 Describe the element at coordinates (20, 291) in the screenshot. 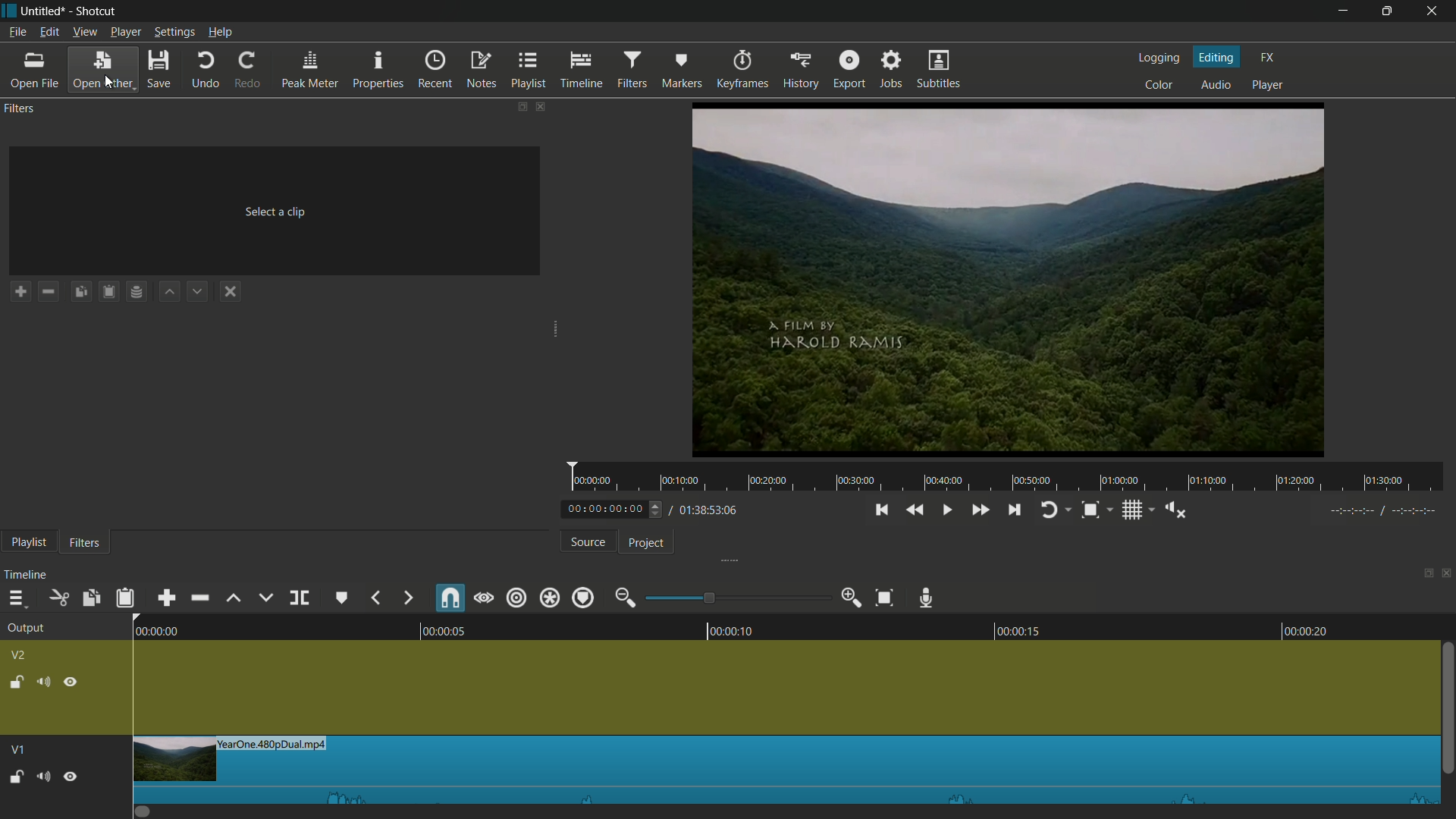

I see `add a filter` at that location.